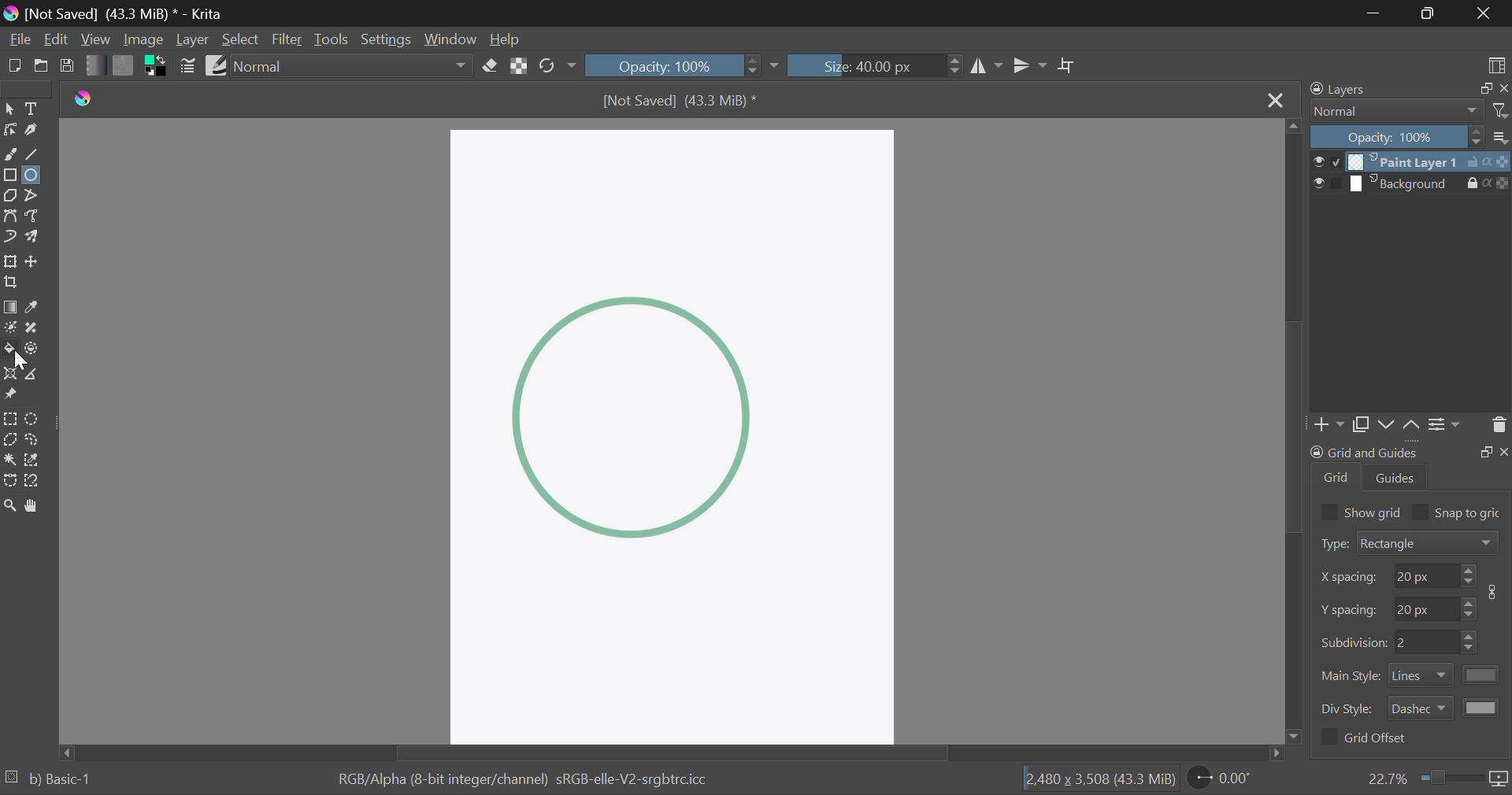 The image size is (1512, 795). Describe the element at coordinates (33, 442) in the screenshot. I see `Freehand Selection` at that location.